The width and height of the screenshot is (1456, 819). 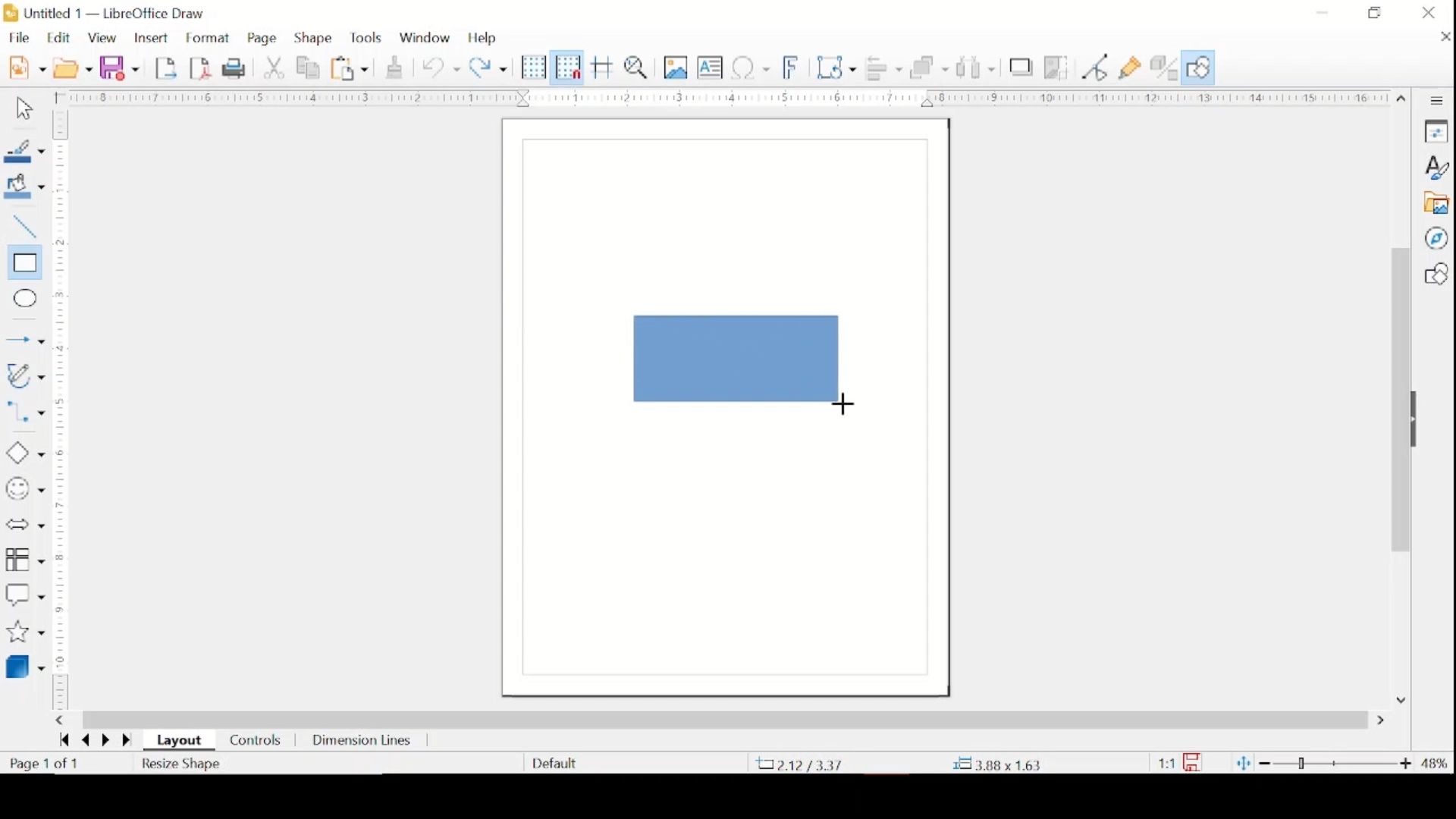 I want to click on crop image, so click(x=1058, y=69).